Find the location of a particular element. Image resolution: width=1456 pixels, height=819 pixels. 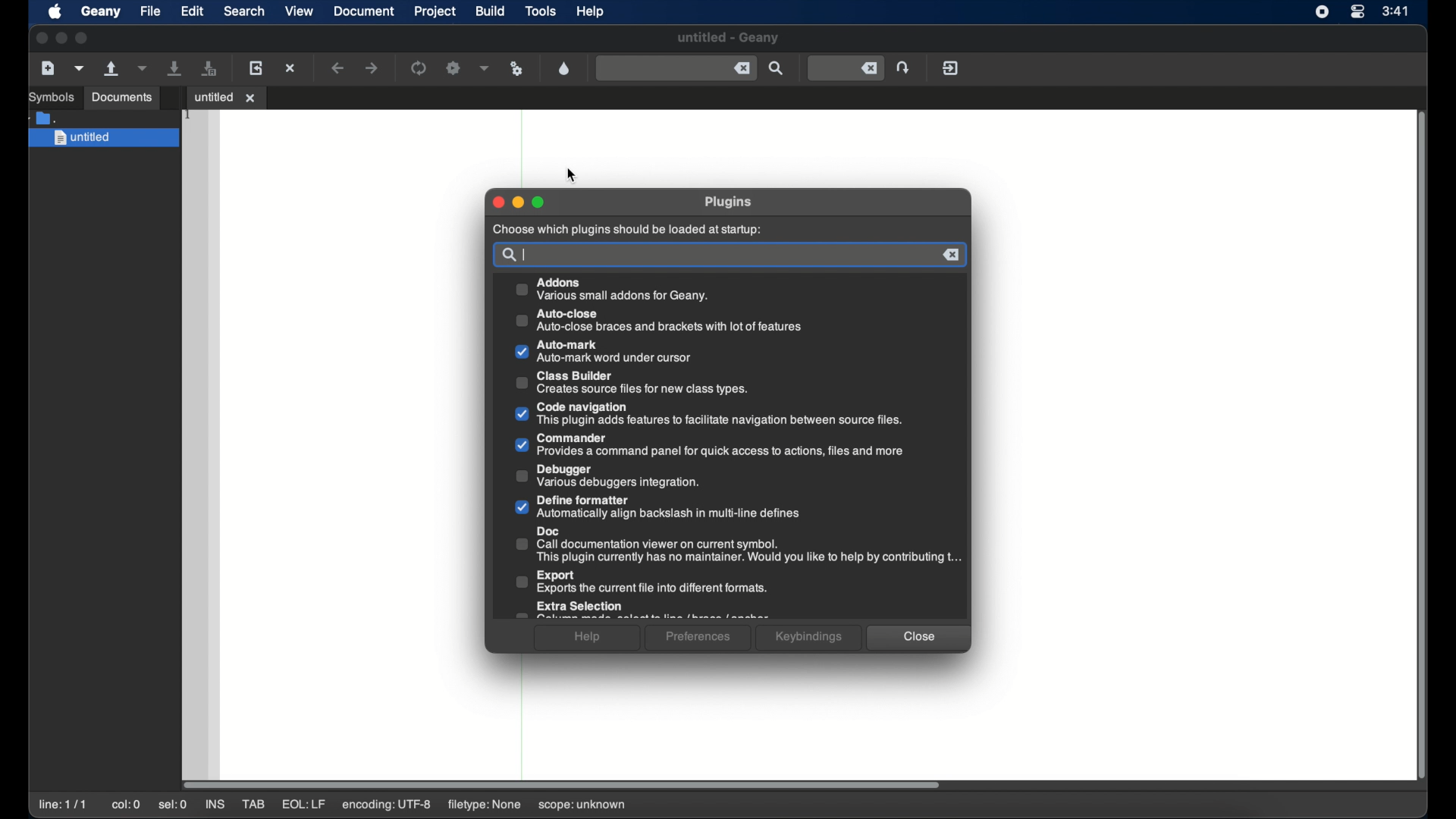

quit geany is located at coordinates (950, 68).